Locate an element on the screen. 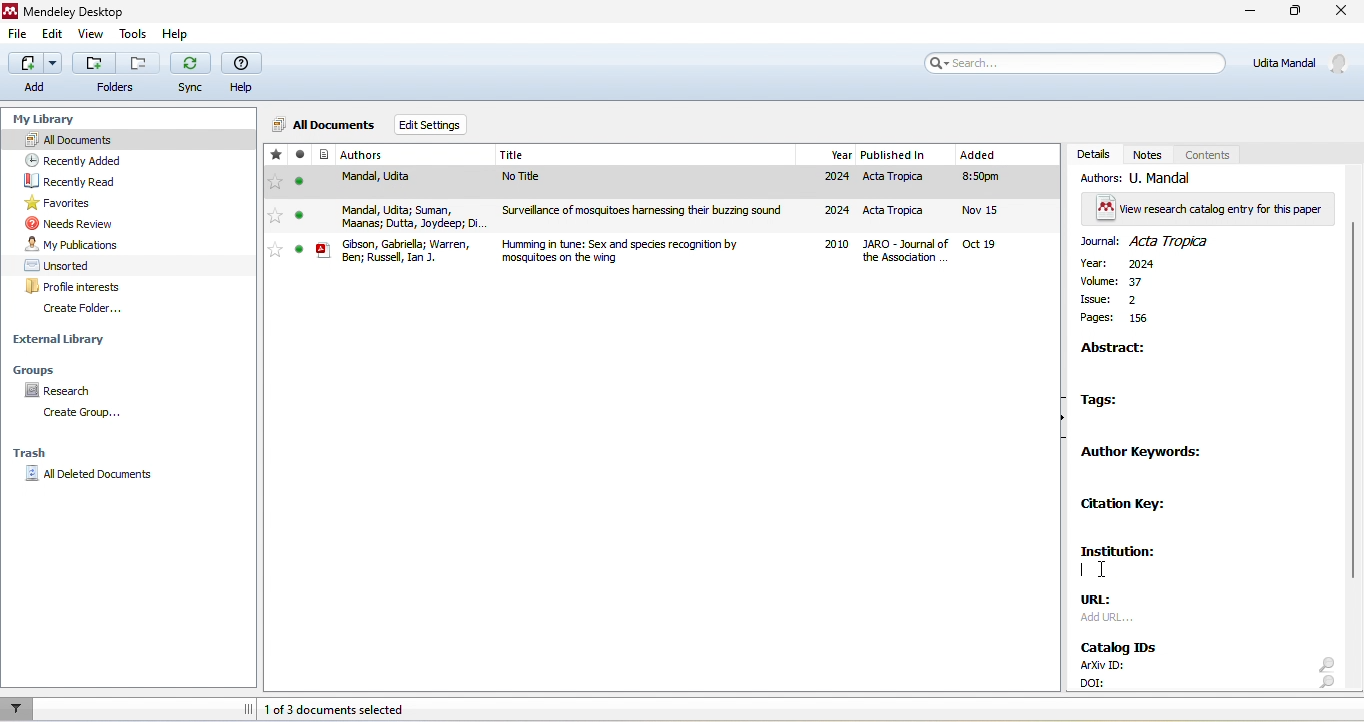  1 of 3 documents selected is located at coordinates (345, 711).